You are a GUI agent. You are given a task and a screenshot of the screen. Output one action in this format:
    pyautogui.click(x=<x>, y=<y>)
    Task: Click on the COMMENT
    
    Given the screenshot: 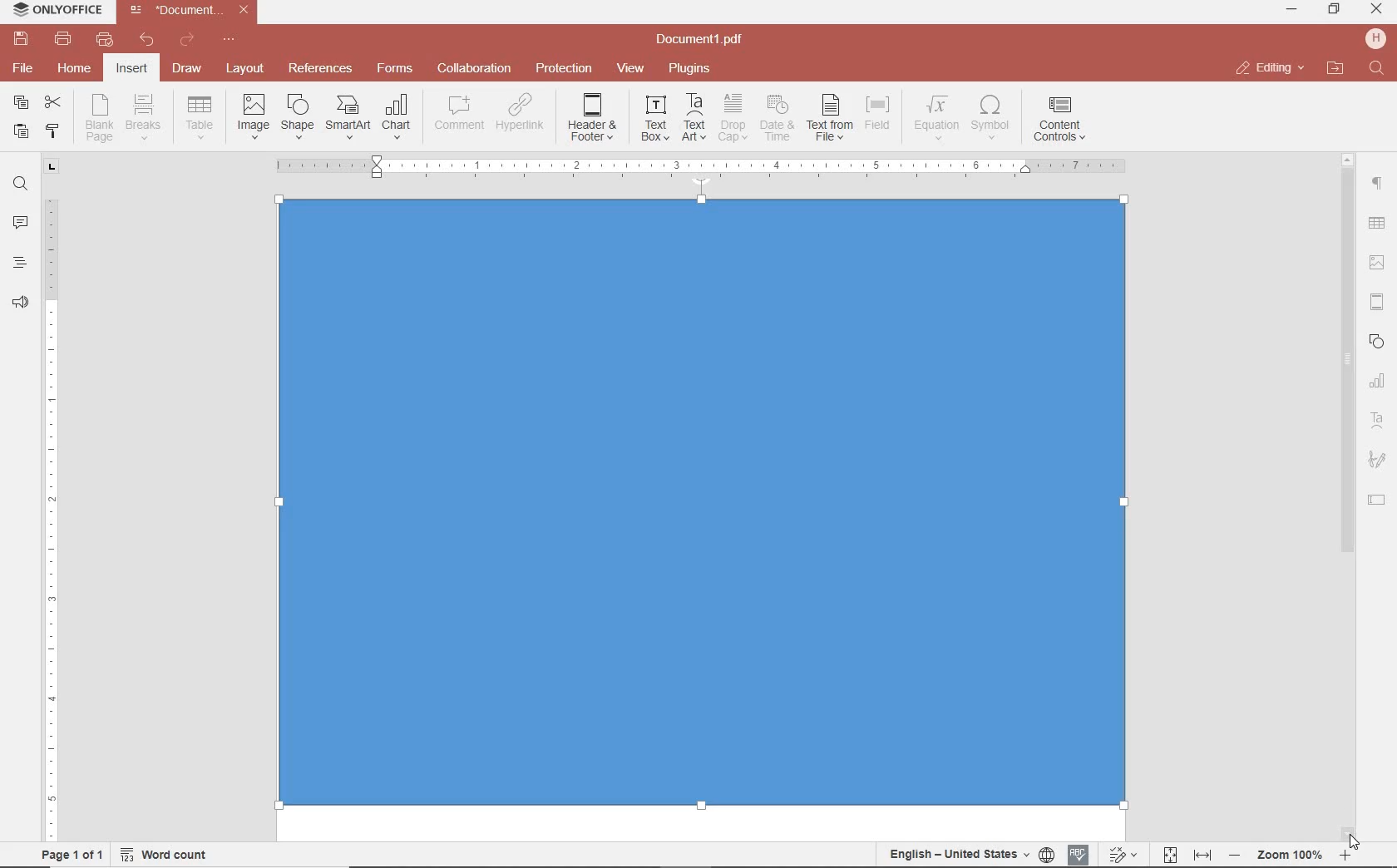 What is the action you would take?
    pyautogui.click(x=461, y=113)
    